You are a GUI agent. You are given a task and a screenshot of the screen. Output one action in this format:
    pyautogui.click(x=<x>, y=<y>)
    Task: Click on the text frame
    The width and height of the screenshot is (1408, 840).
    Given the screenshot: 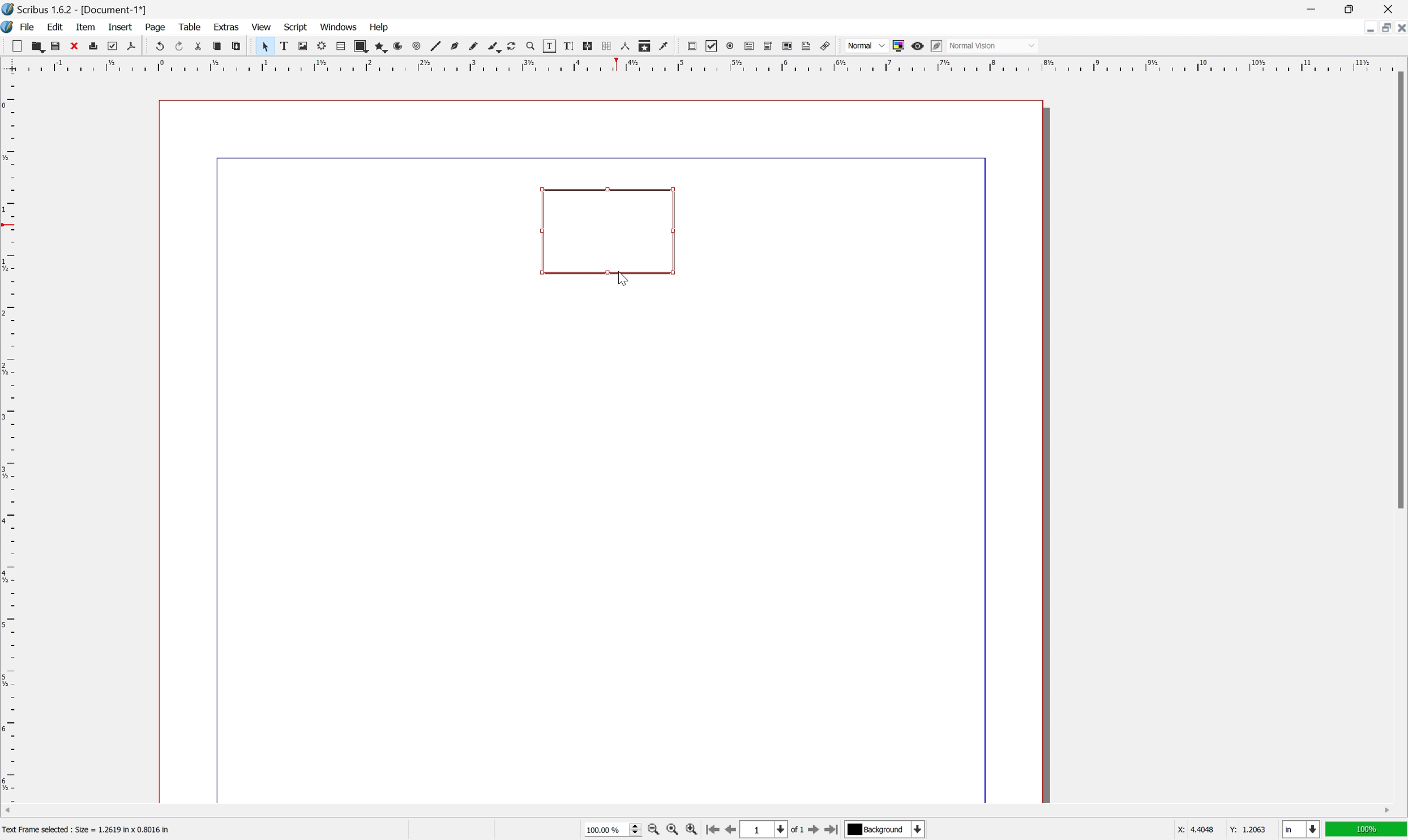 What is the action you would take?
    pyautogui.click(x=284, y=47)
    